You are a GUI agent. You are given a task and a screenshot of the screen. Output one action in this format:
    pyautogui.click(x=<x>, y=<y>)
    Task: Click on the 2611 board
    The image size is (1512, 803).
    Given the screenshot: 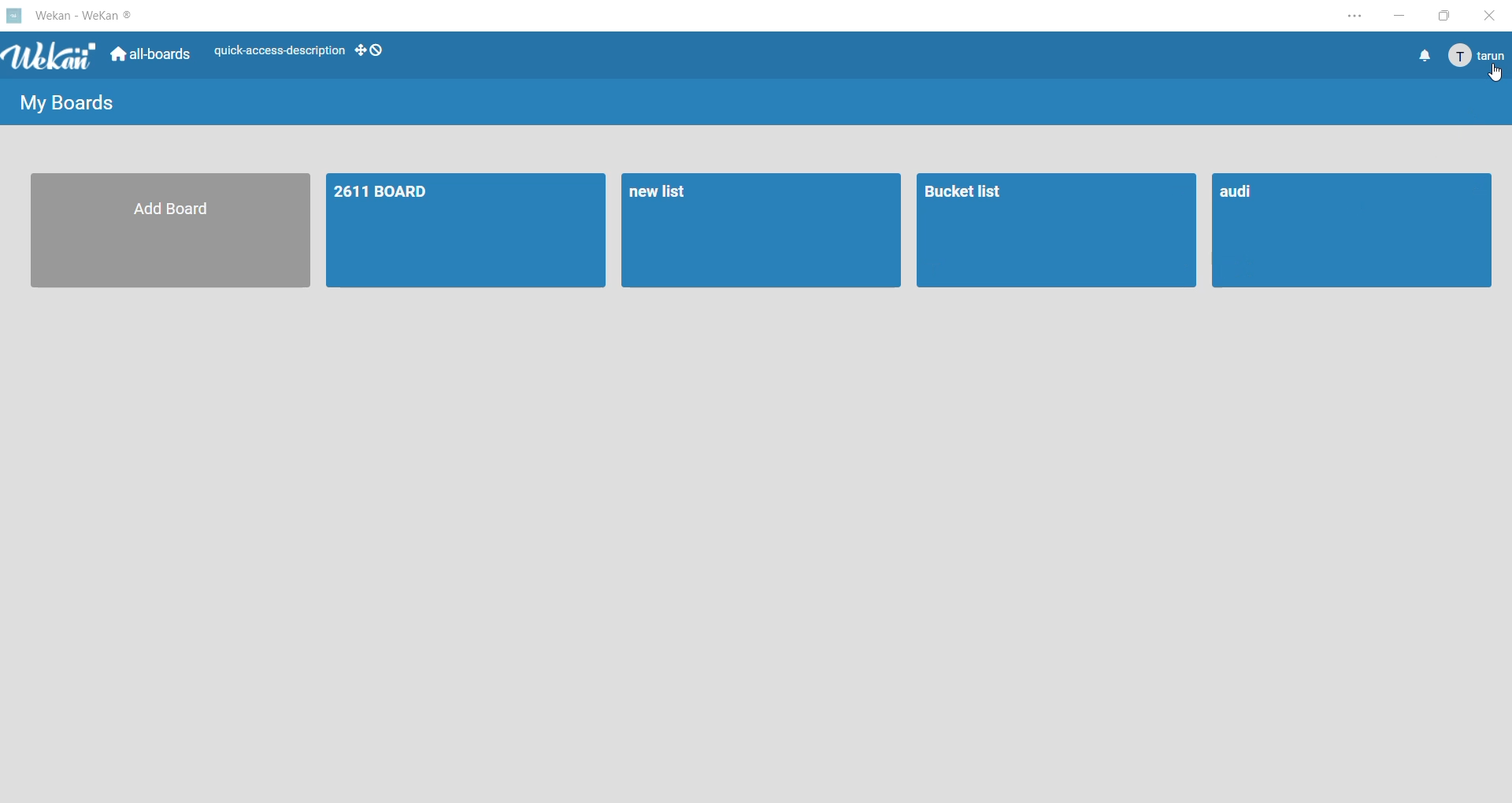 What is the action you would take?
    pyautogui.click(x=466, y=228)
    